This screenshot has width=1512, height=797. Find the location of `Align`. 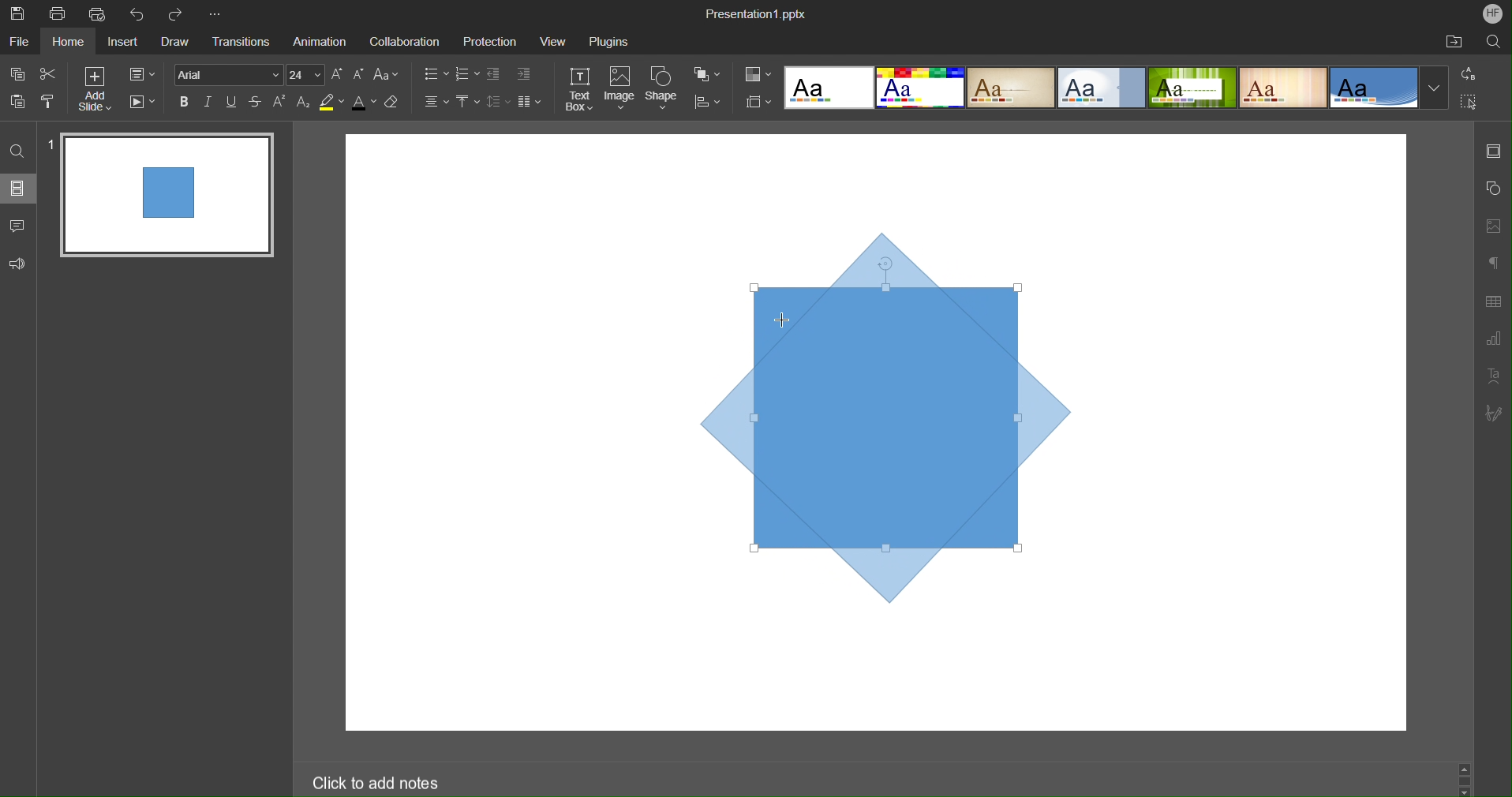

Align is located at coordinates (709, 102).